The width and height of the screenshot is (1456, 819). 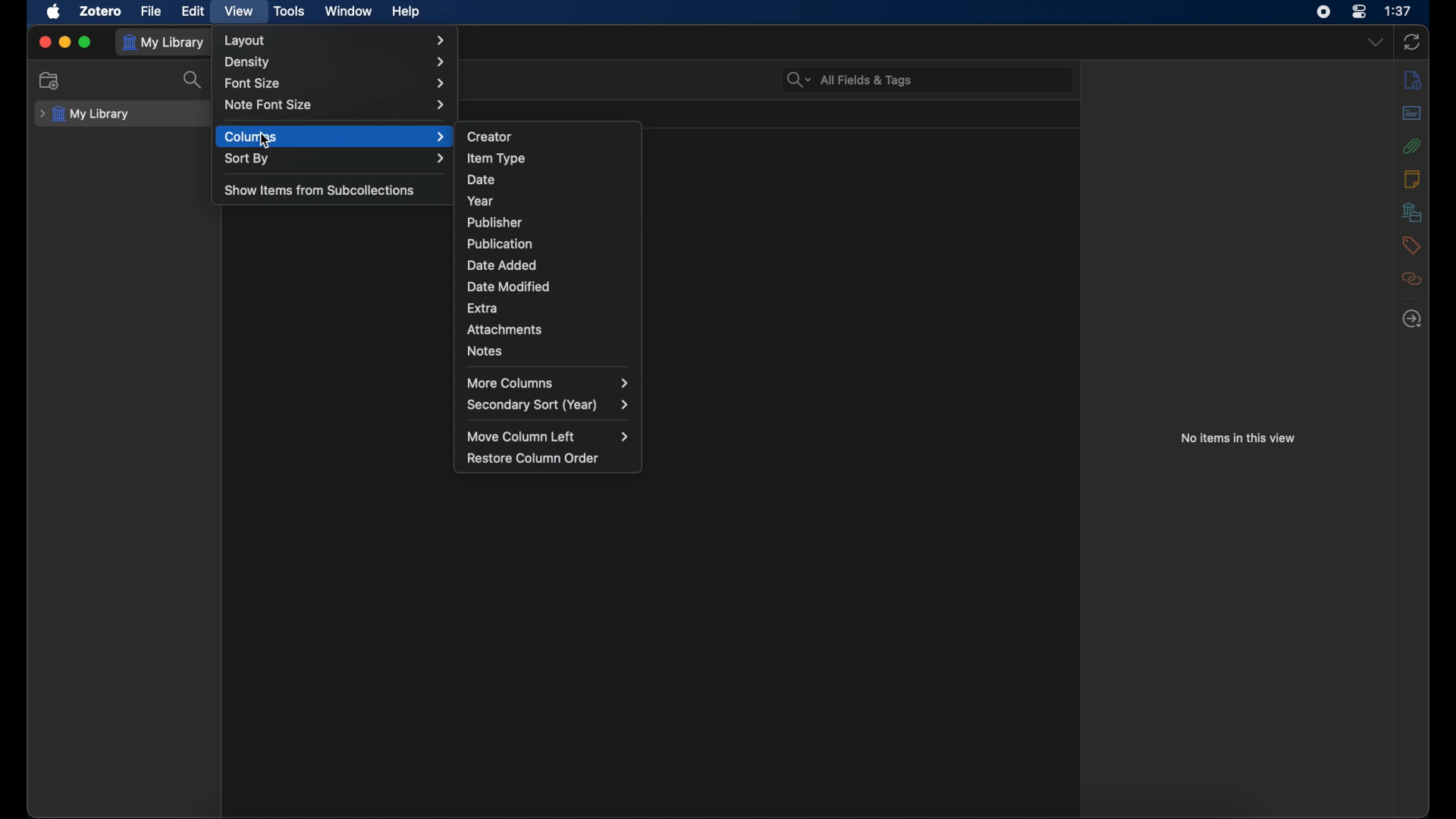 What do you see at coordinates (1411, 246) in the screenshot?
I see `tags` at bounding box center [1411, 246].